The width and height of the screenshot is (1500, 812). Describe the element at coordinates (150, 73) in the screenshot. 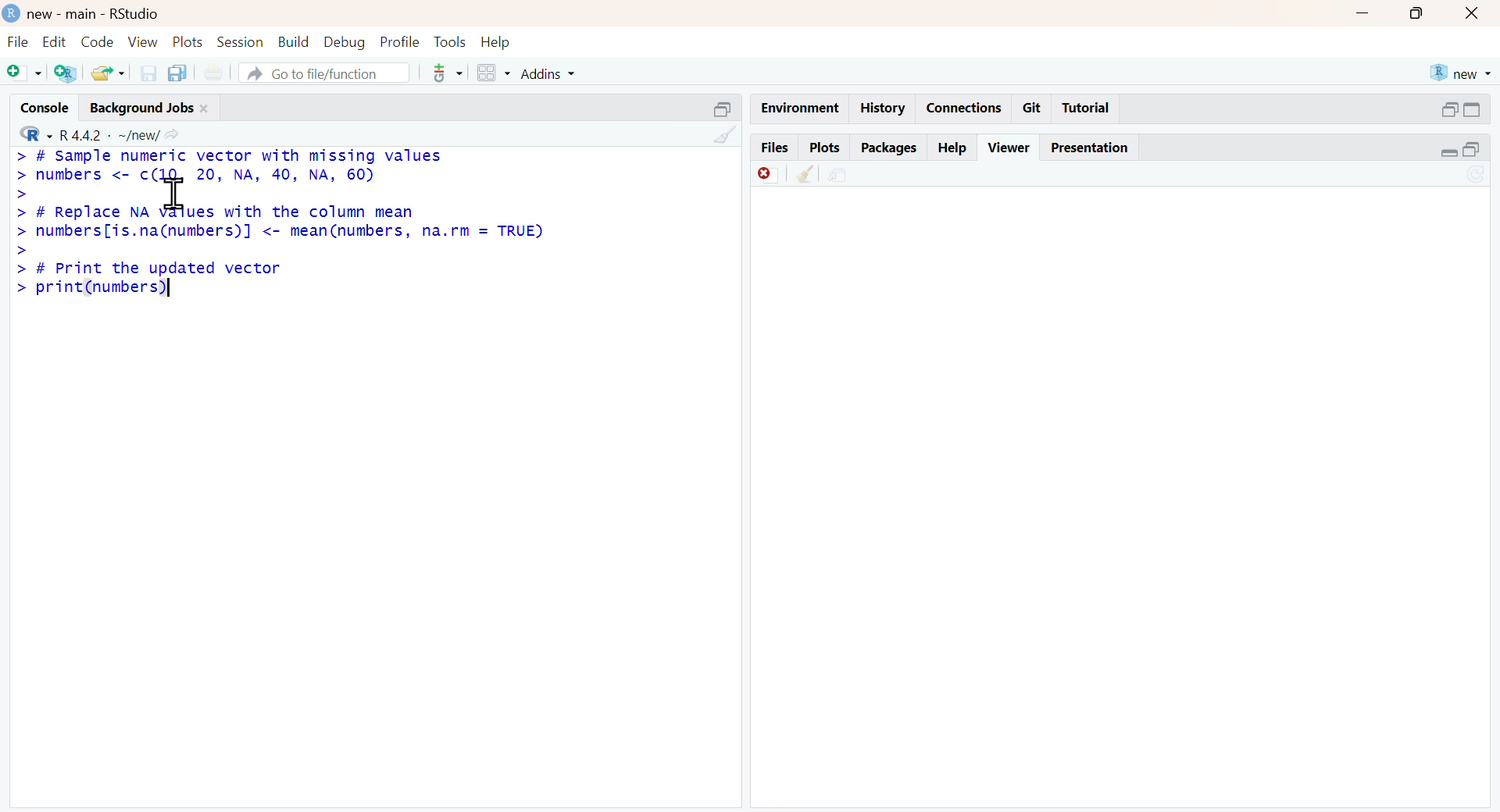

I see `save` at that location.